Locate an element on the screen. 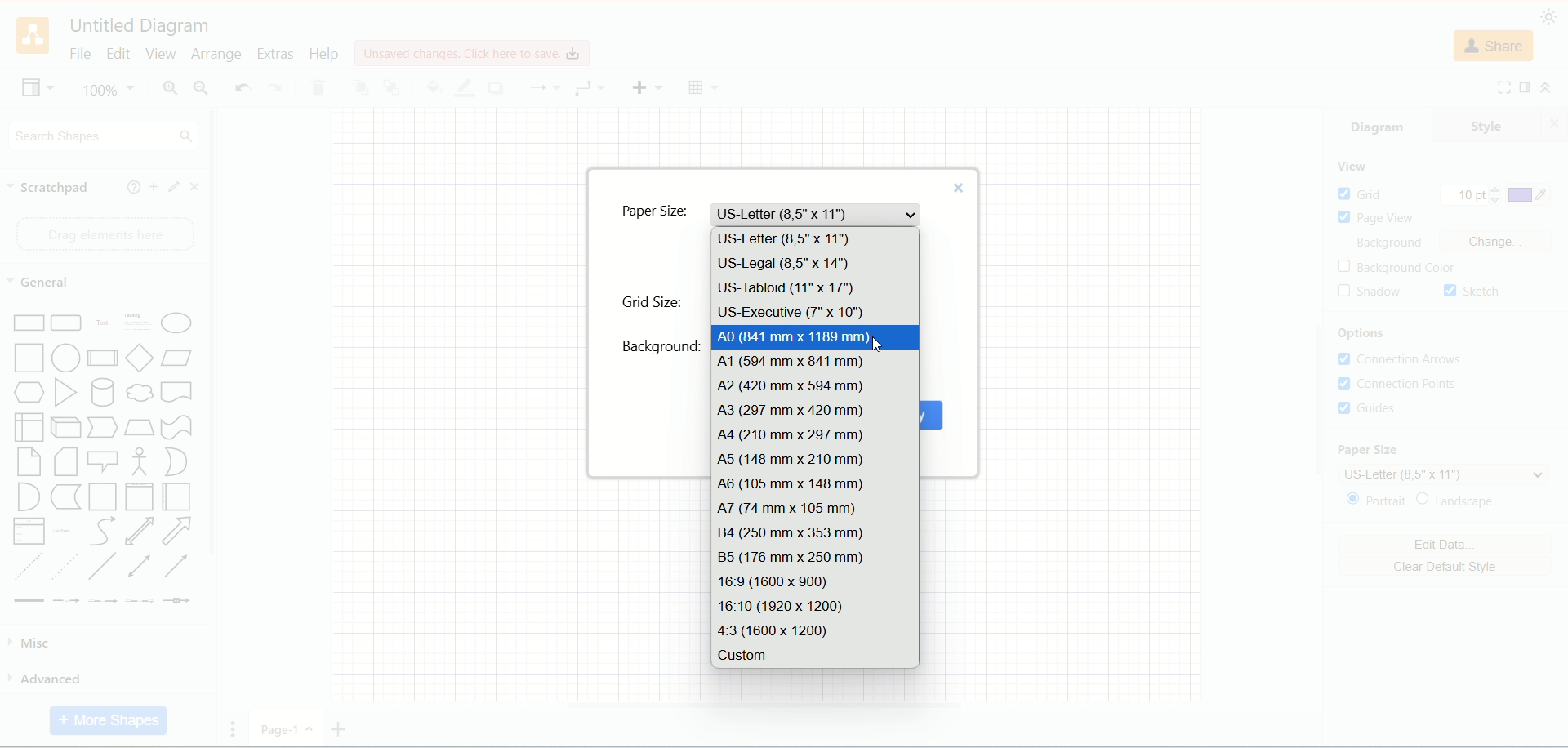 This screenshot has width=1568, height=748. A5 is located at coordinates (815, 460).